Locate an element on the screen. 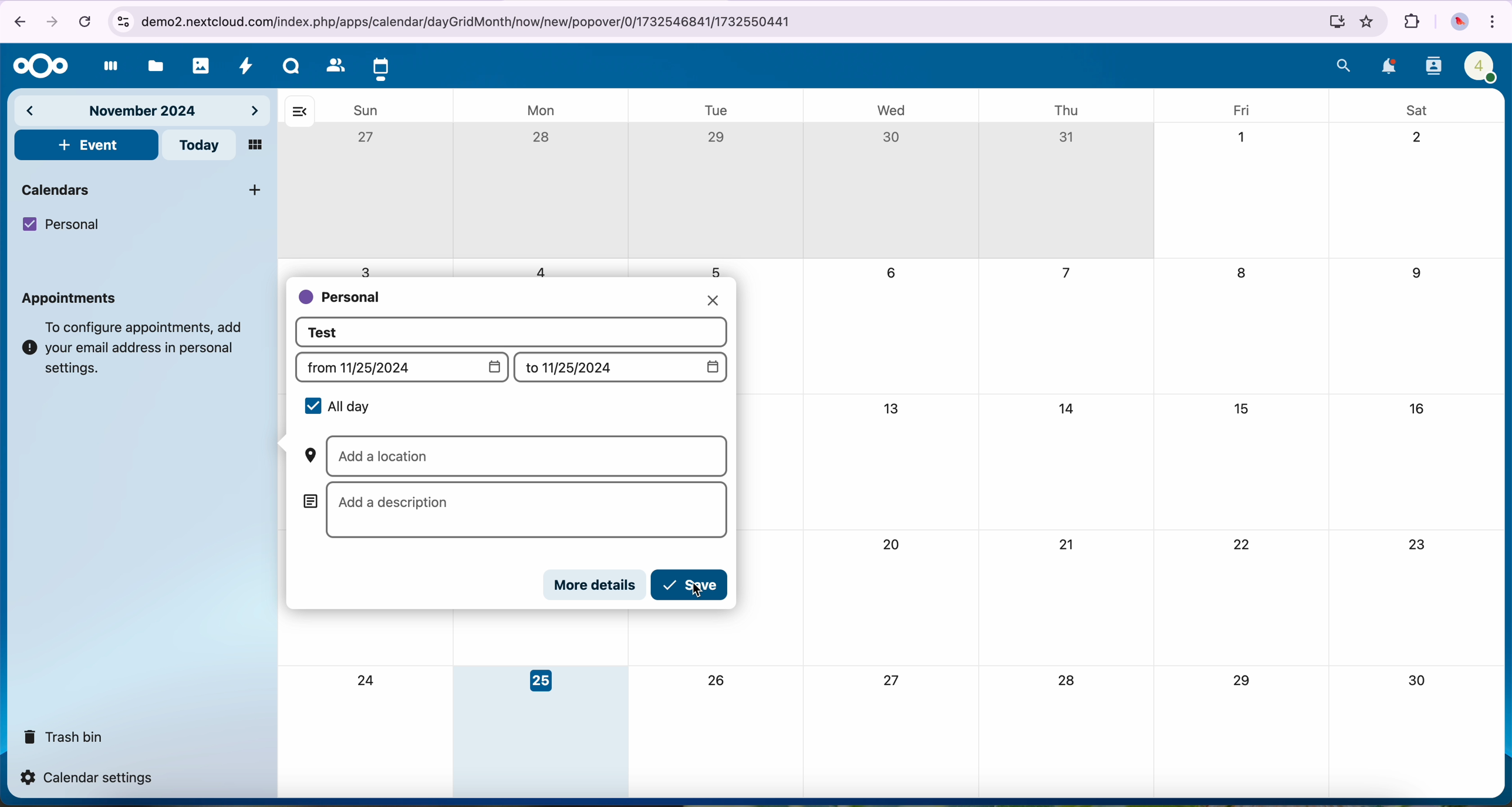  notifications is located at coordinates (1389, 67).